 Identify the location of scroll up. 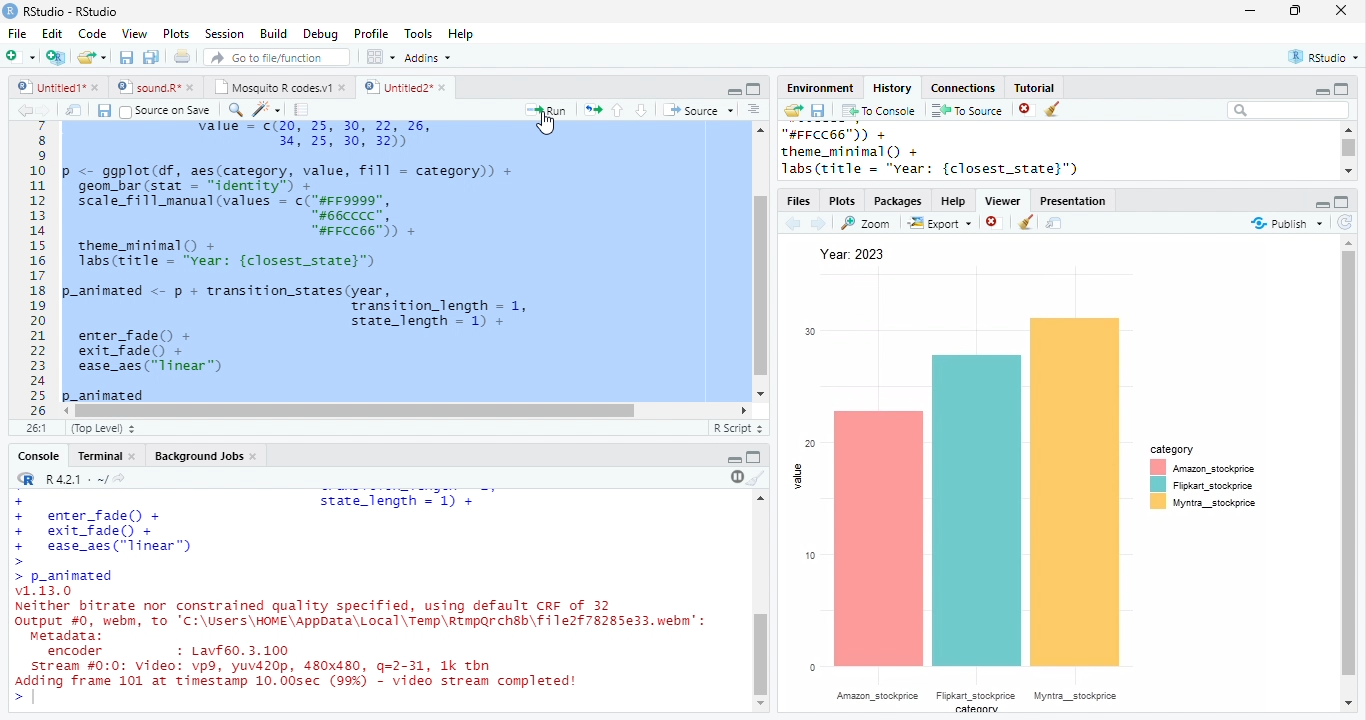
(1349, 129).